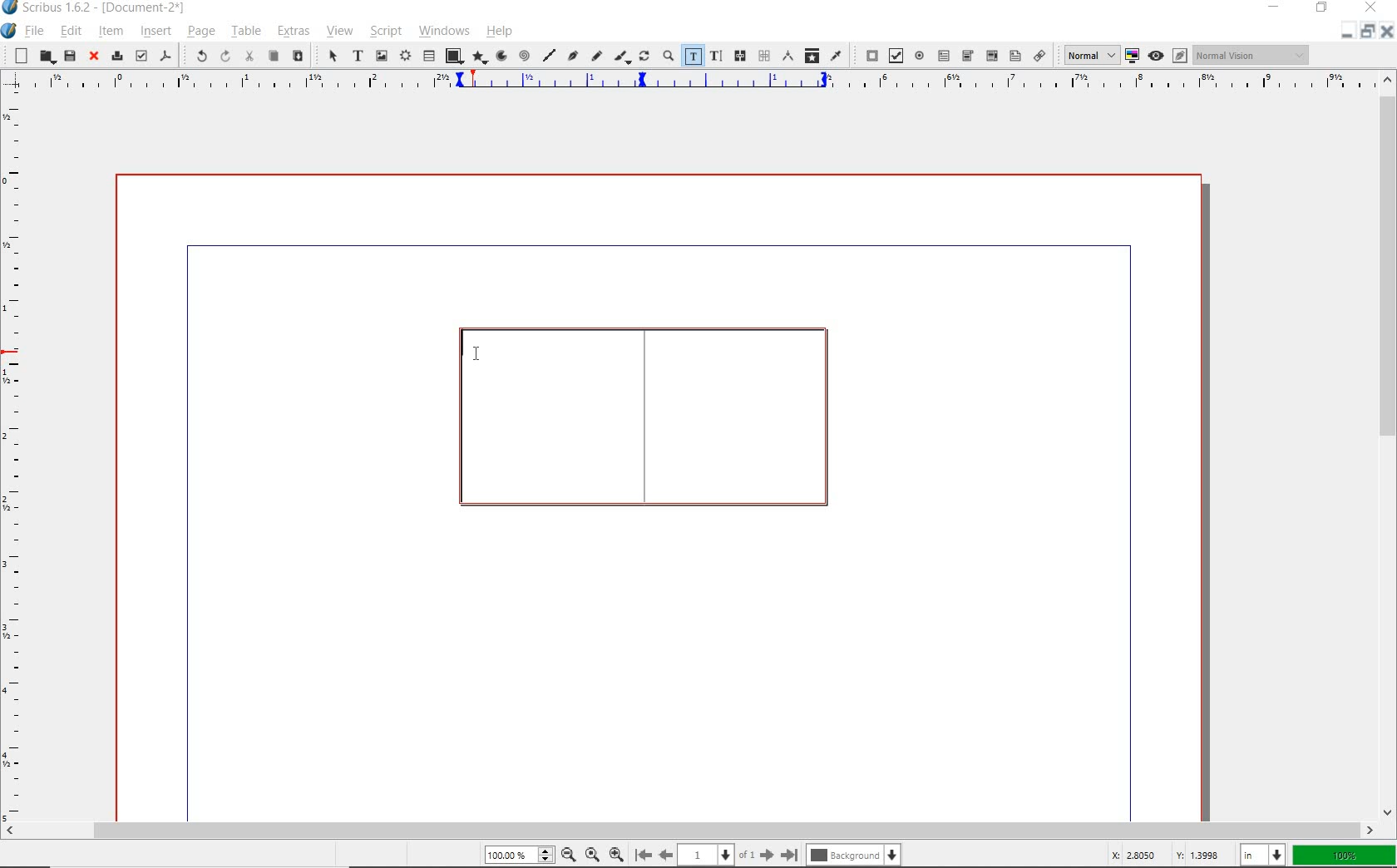 This screenshot has height=868, width=1397. Describe the element at coordinates (852, 855) in the screenshot. I see `background ` at that location.